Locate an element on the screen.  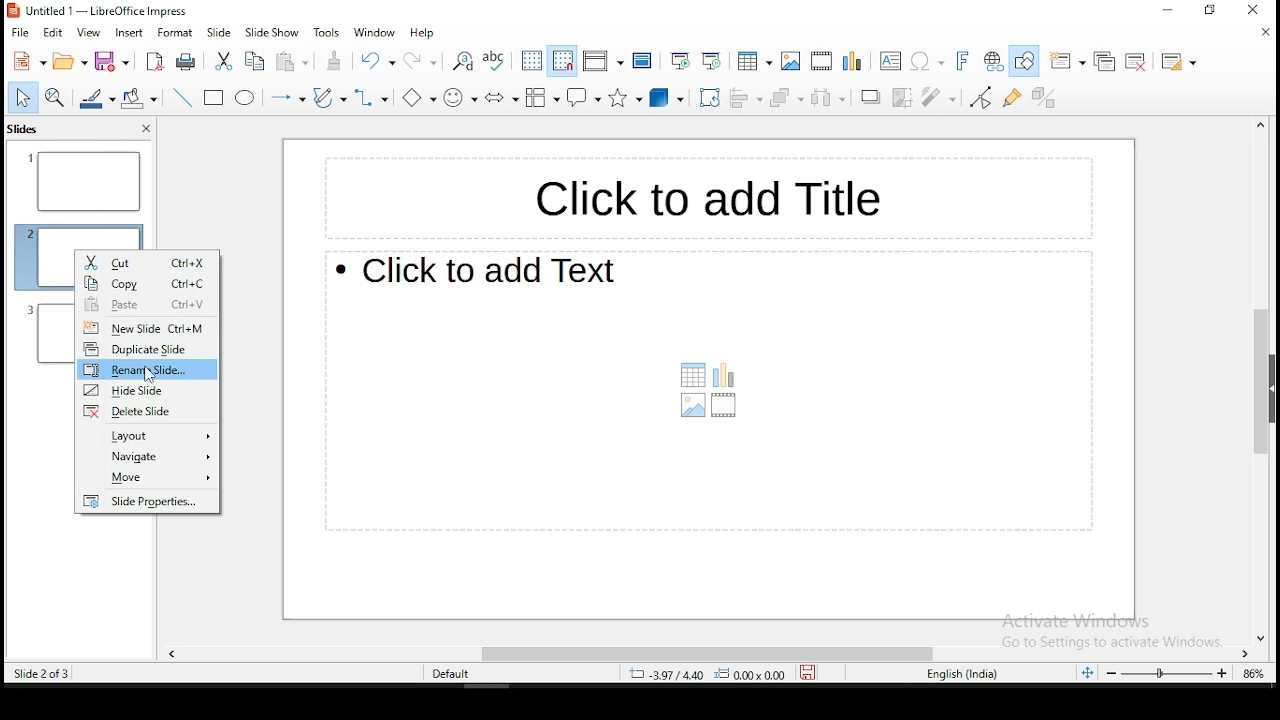
display views is located at coordinates (602, 59).